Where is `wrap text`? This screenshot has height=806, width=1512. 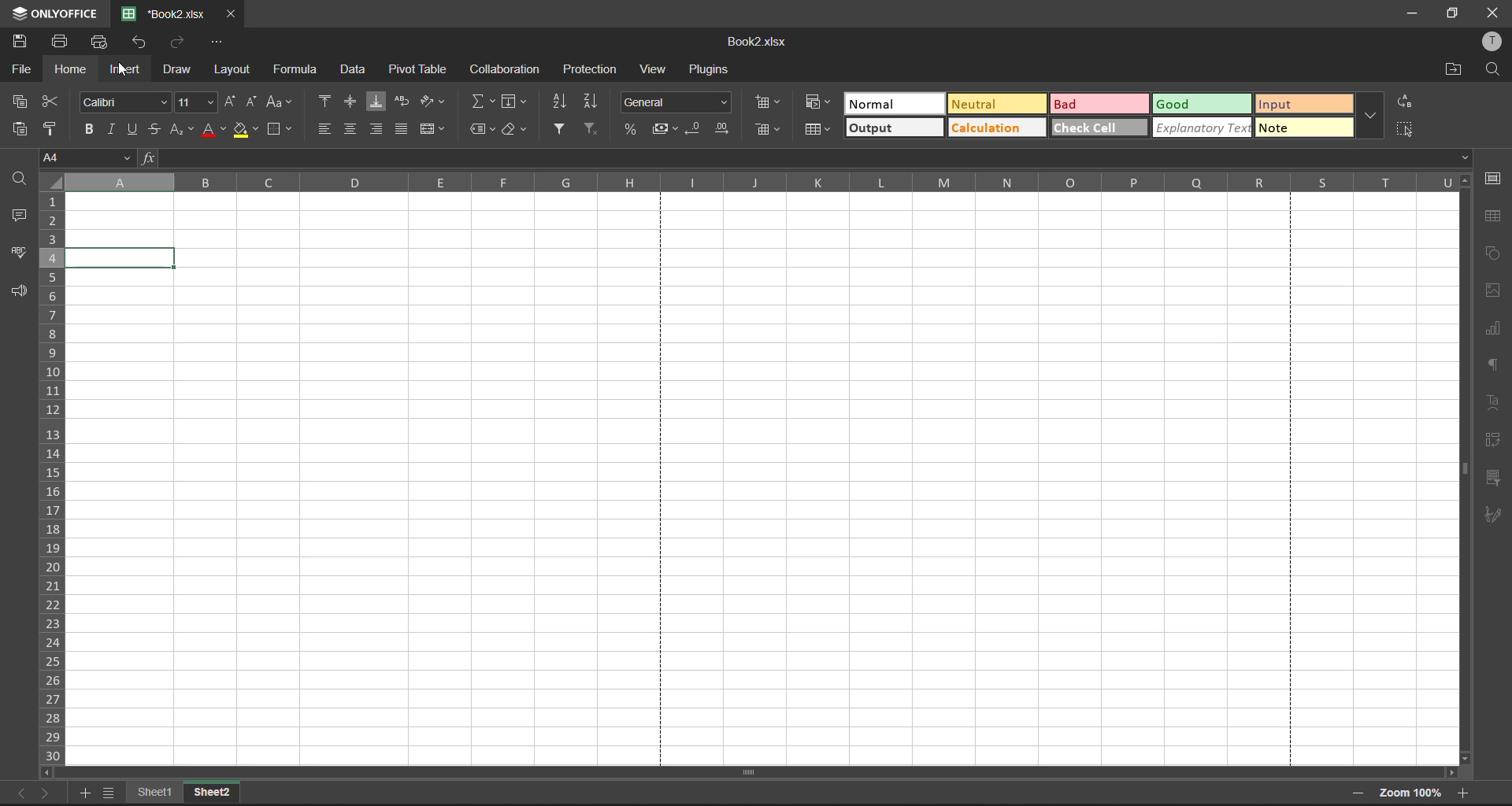 wrap text is located at coordinates (402, 102).